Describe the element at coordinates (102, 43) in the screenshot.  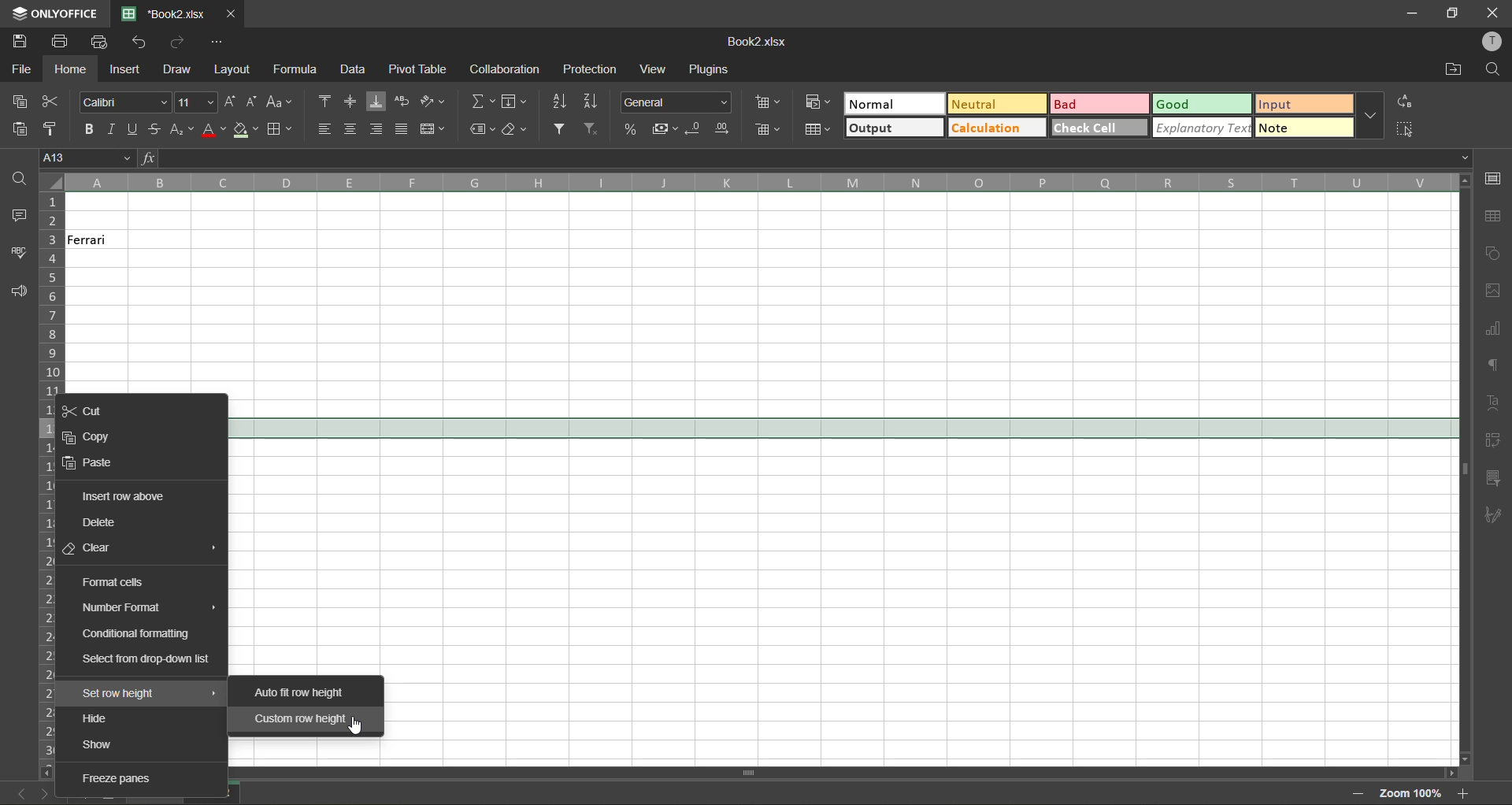
I see `quick print` at that location.